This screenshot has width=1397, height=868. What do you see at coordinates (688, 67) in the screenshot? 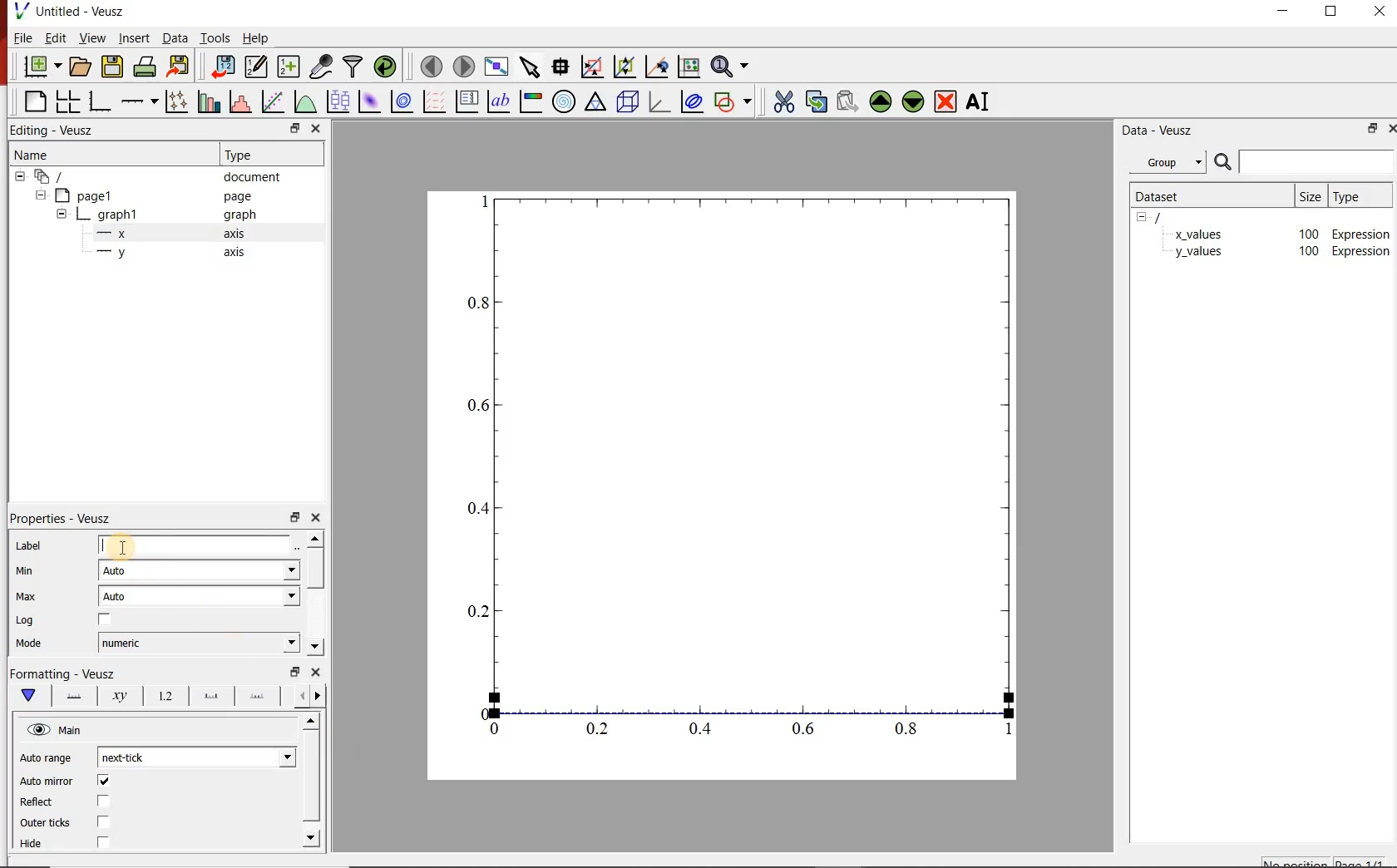
I see `click to reset graph axes` at bounding box center [688, 67].